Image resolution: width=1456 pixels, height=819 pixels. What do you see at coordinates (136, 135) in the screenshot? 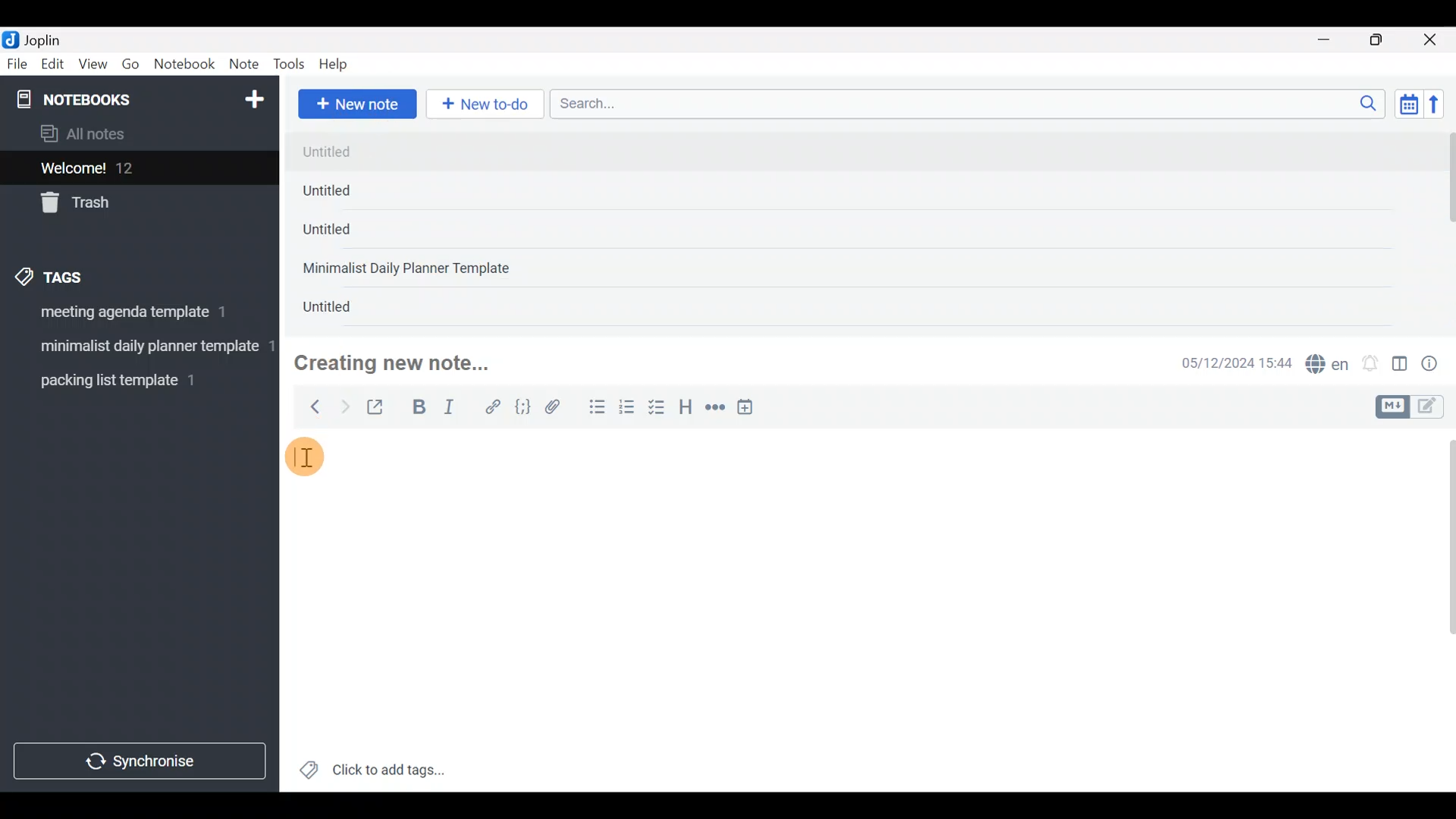
I see `All notes` at bounding box center [136, 135].